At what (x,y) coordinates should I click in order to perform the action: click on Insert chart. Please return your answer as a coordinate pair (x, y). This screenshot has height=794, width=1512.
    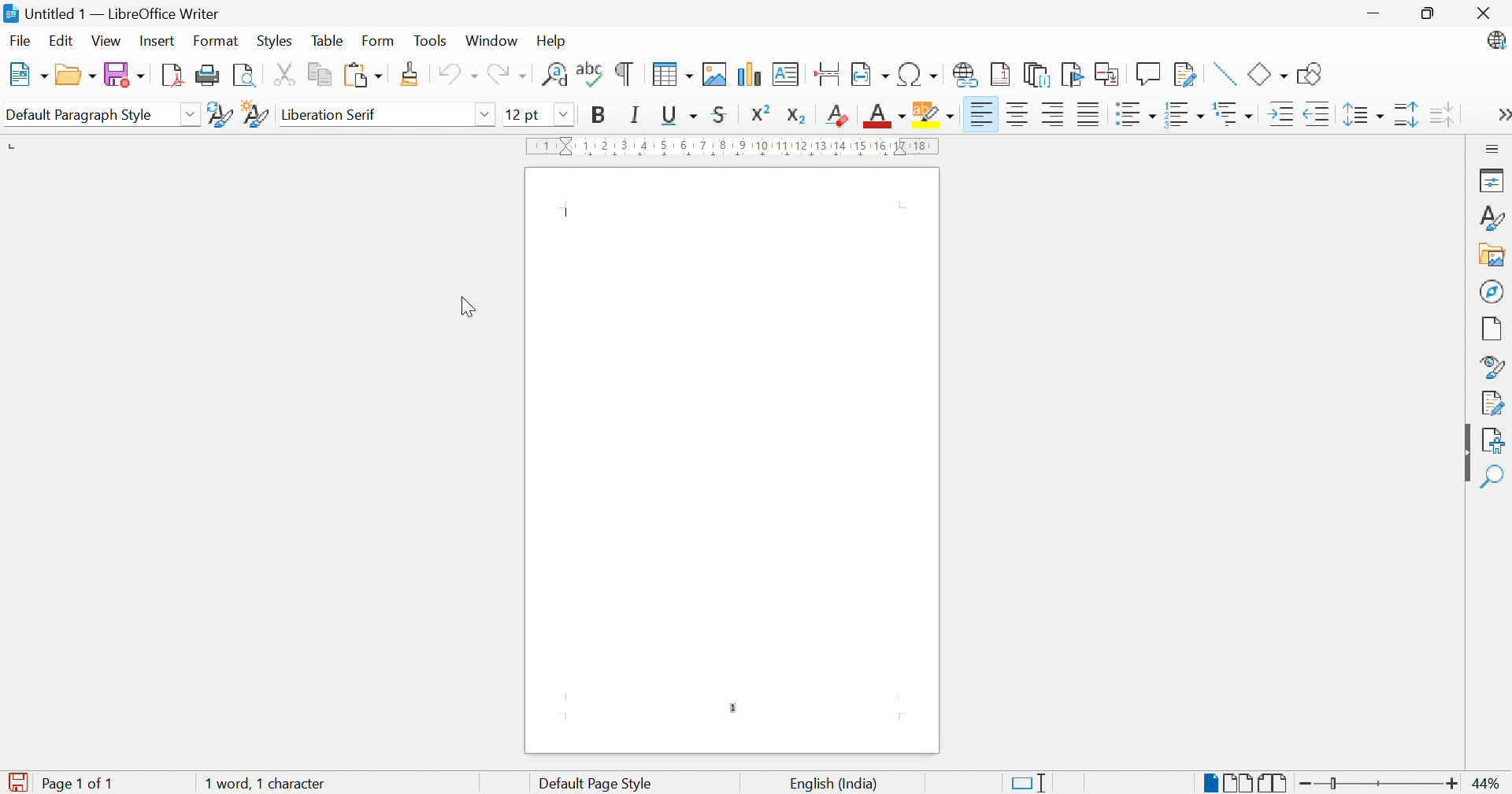
    Looking at the image, I should click on (750, 74).